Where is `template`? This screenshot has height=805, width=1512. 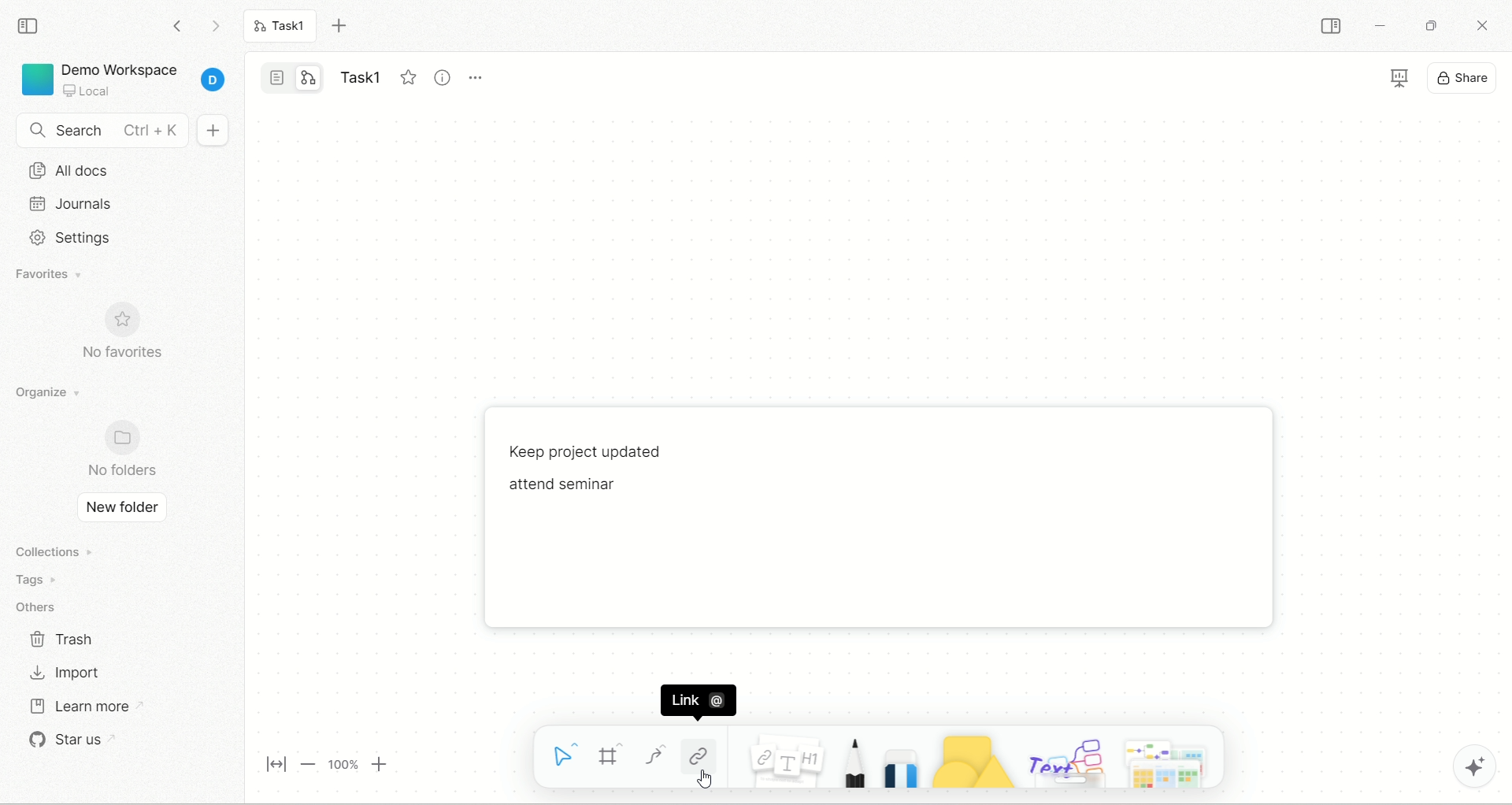
template is located at coordinates (1170, 762).